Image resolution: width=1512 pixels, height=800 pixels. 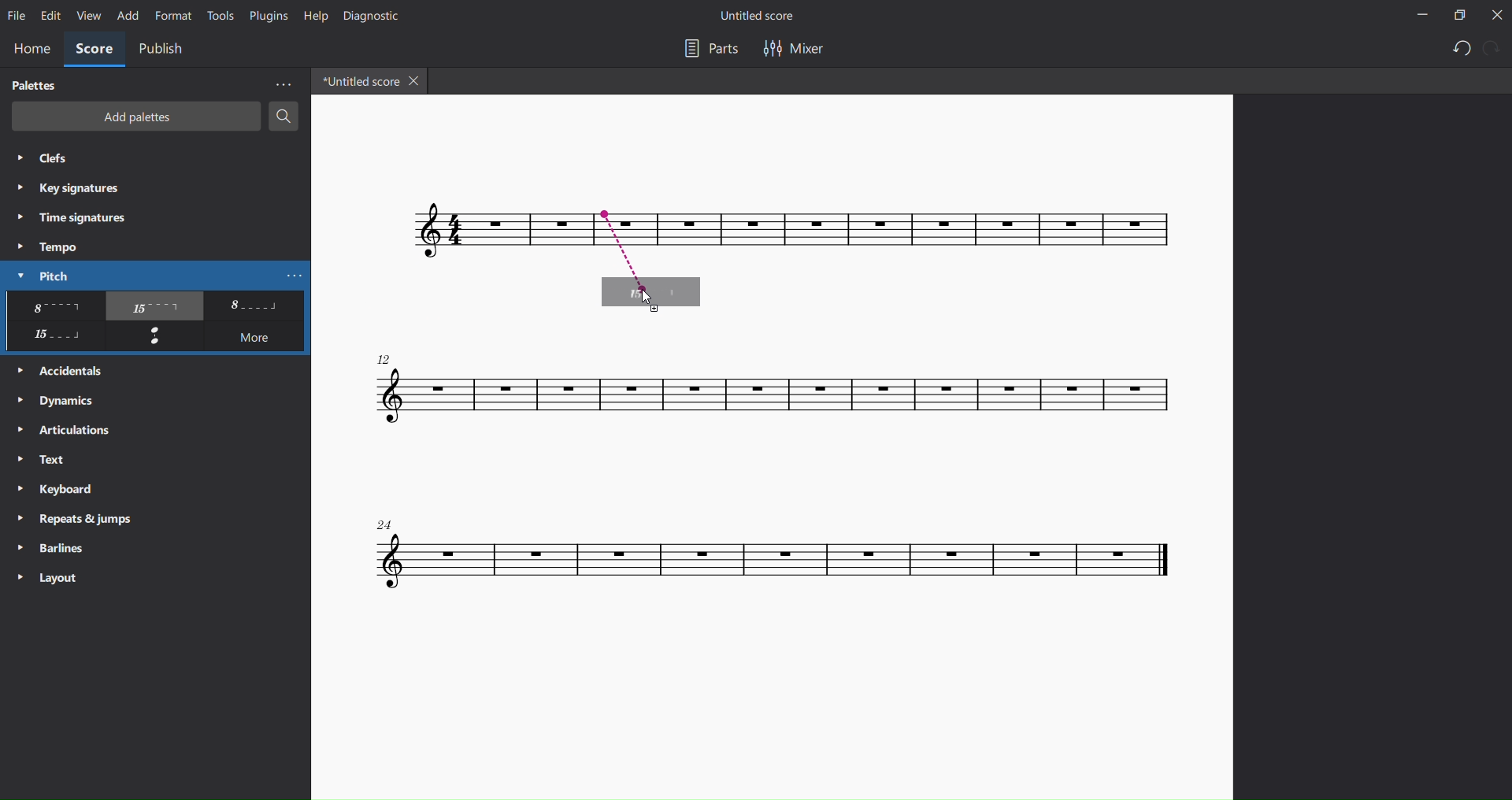 I want to click on inserting area, so click(x=661, y=246).